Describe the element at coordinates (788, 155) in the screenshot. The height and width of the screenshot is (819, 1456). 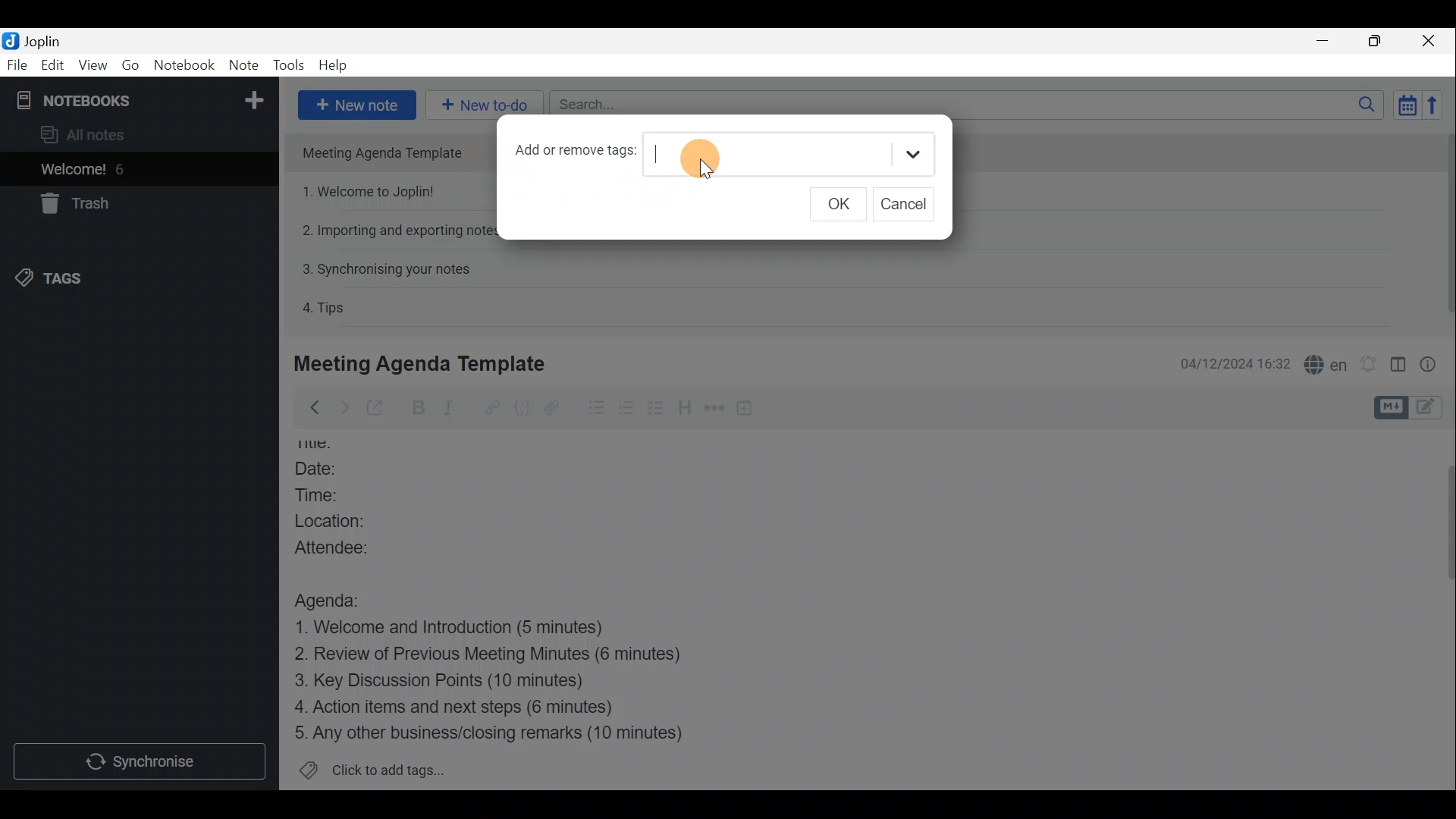
I see `Text box` at that location.